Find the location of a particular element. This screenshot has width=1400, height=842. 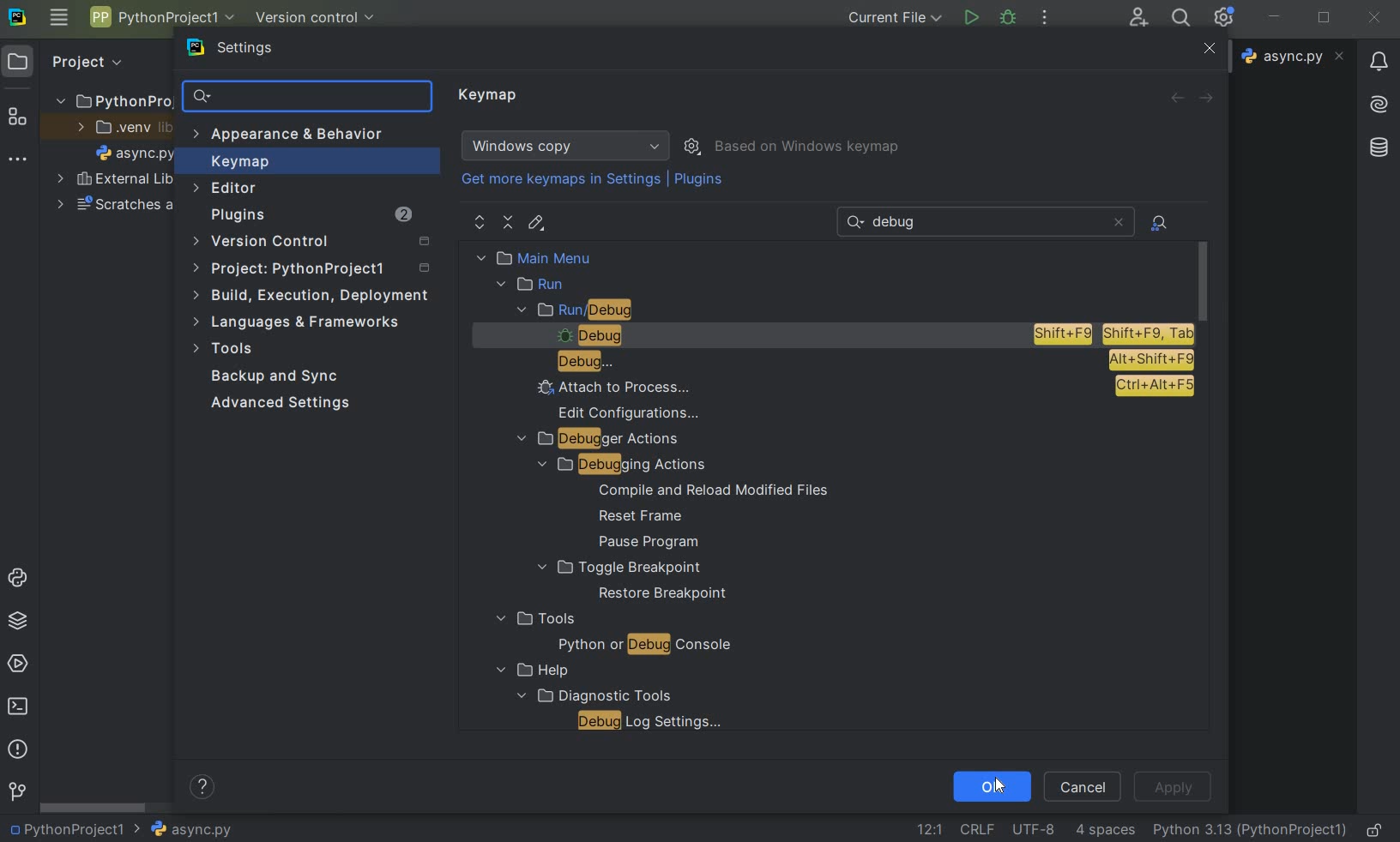

version control is located at coordinates (17, 792).